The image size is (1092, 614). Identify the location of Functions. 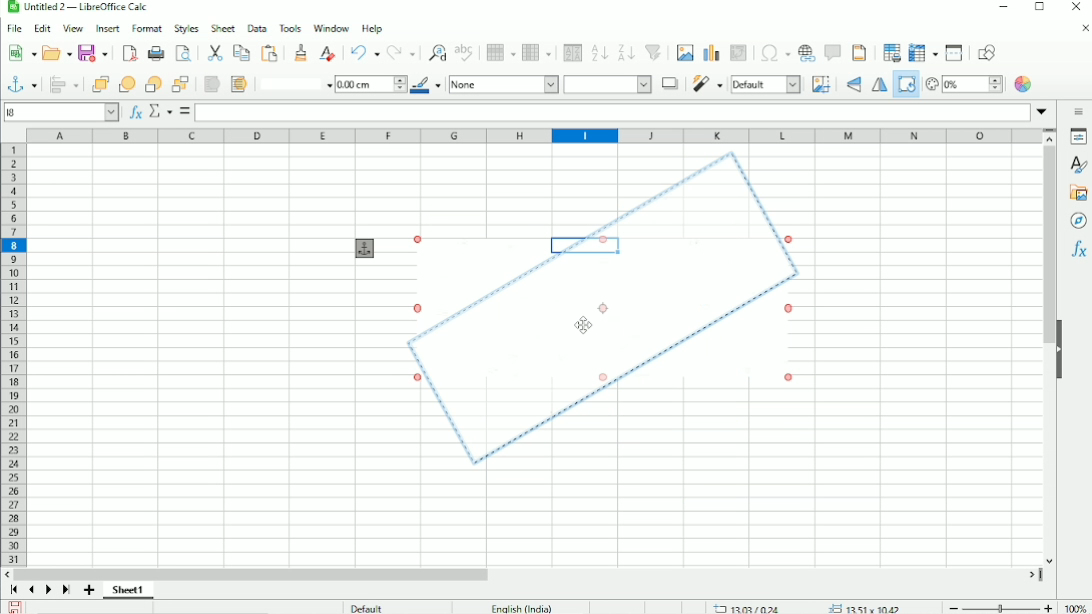
(1077, 250).